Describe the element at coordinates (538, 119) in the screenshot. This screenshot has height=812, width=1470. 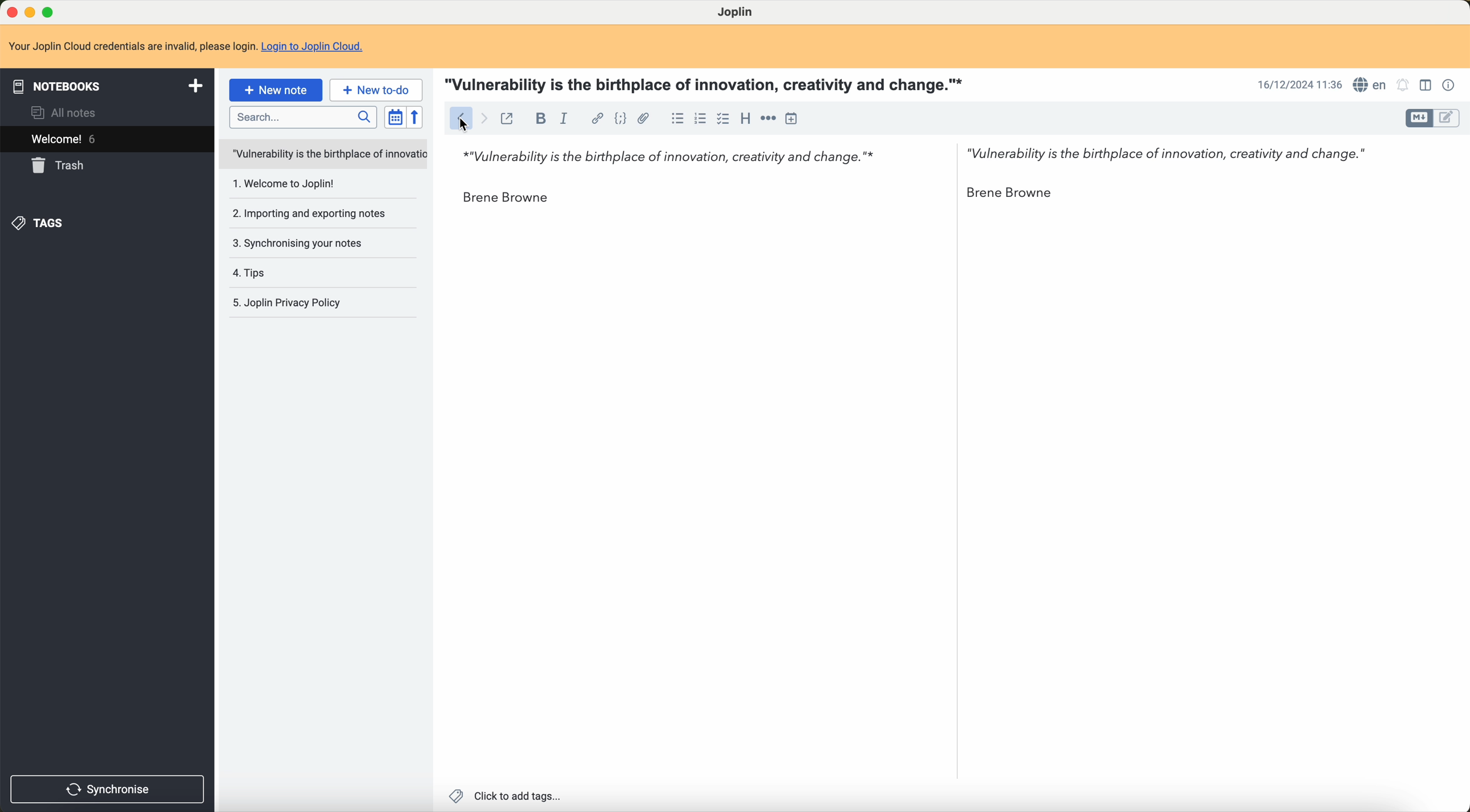
I see `bold` at that location.